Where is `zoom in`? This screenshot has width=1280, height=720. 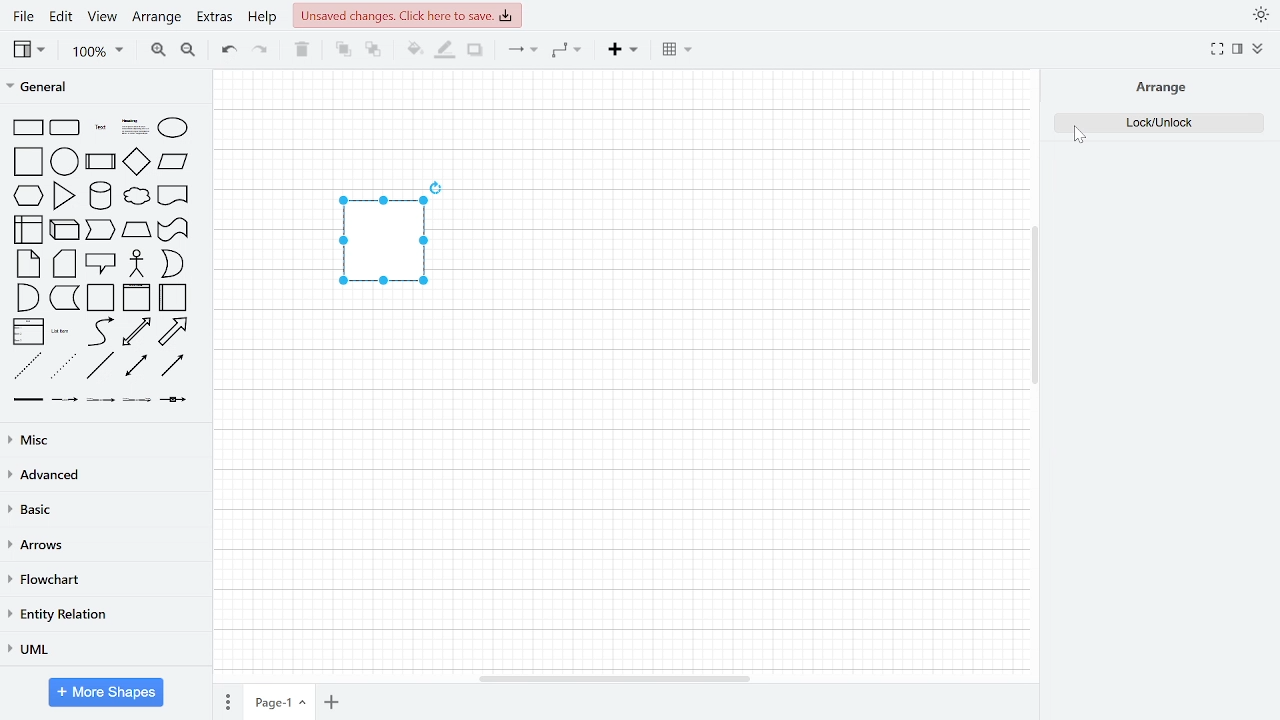 zoom in is located at coordinates (156, 50).